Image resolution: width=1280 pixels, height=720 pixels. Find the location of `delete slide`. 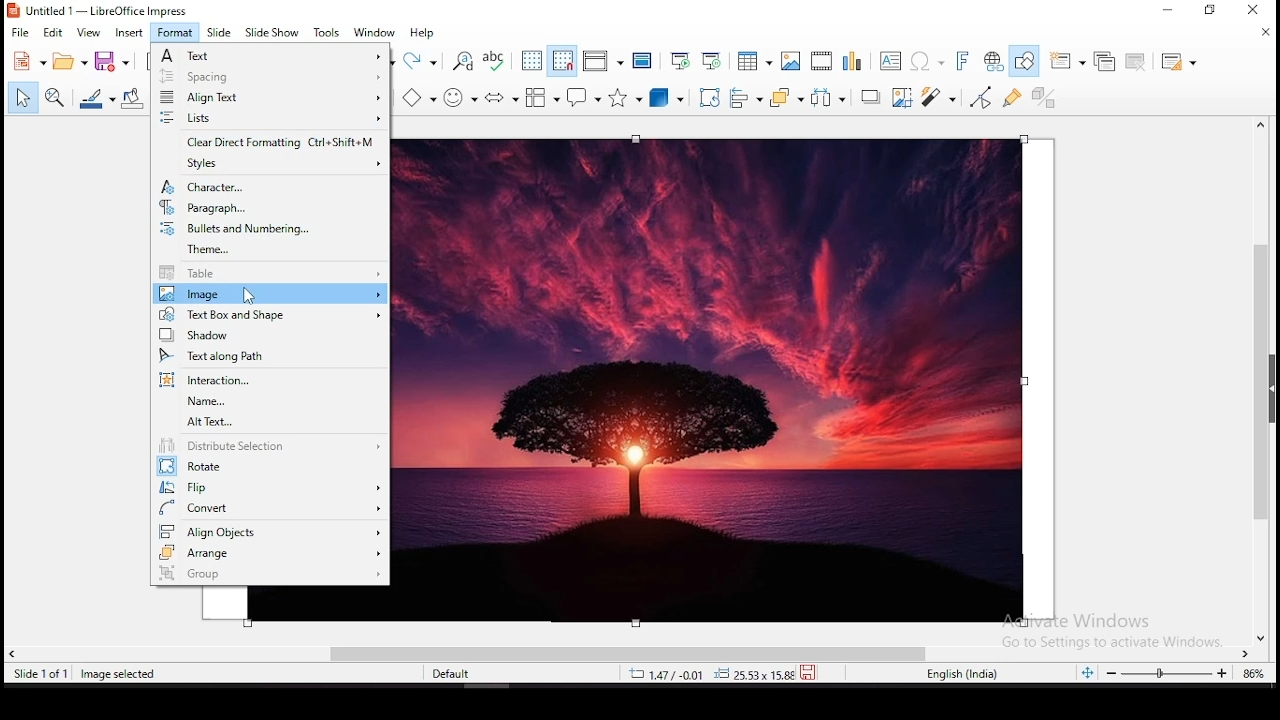

delete slide is located at coordinates (1136, 61).